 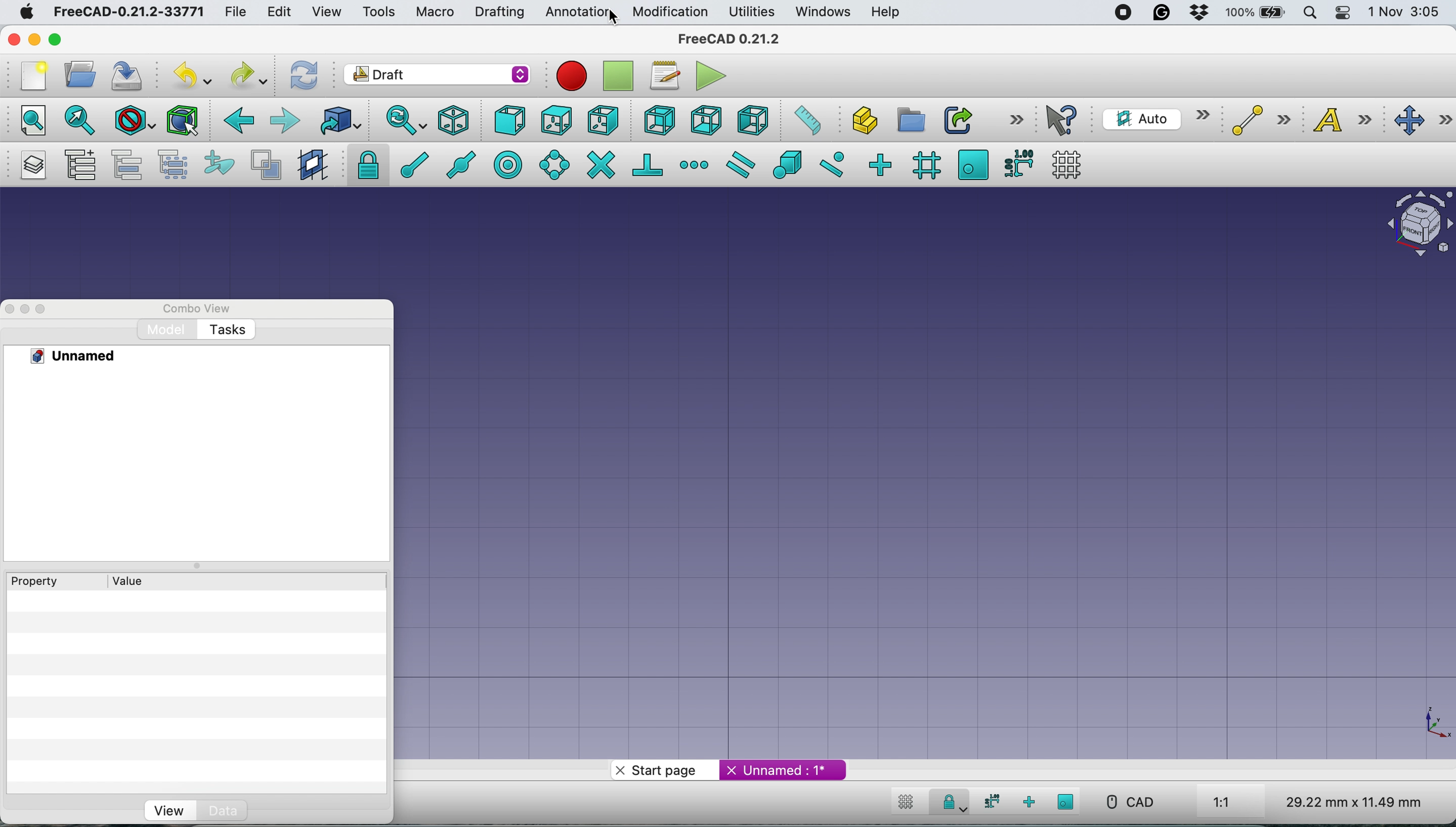 I want to click on maximise, so click(x=56, y=39).